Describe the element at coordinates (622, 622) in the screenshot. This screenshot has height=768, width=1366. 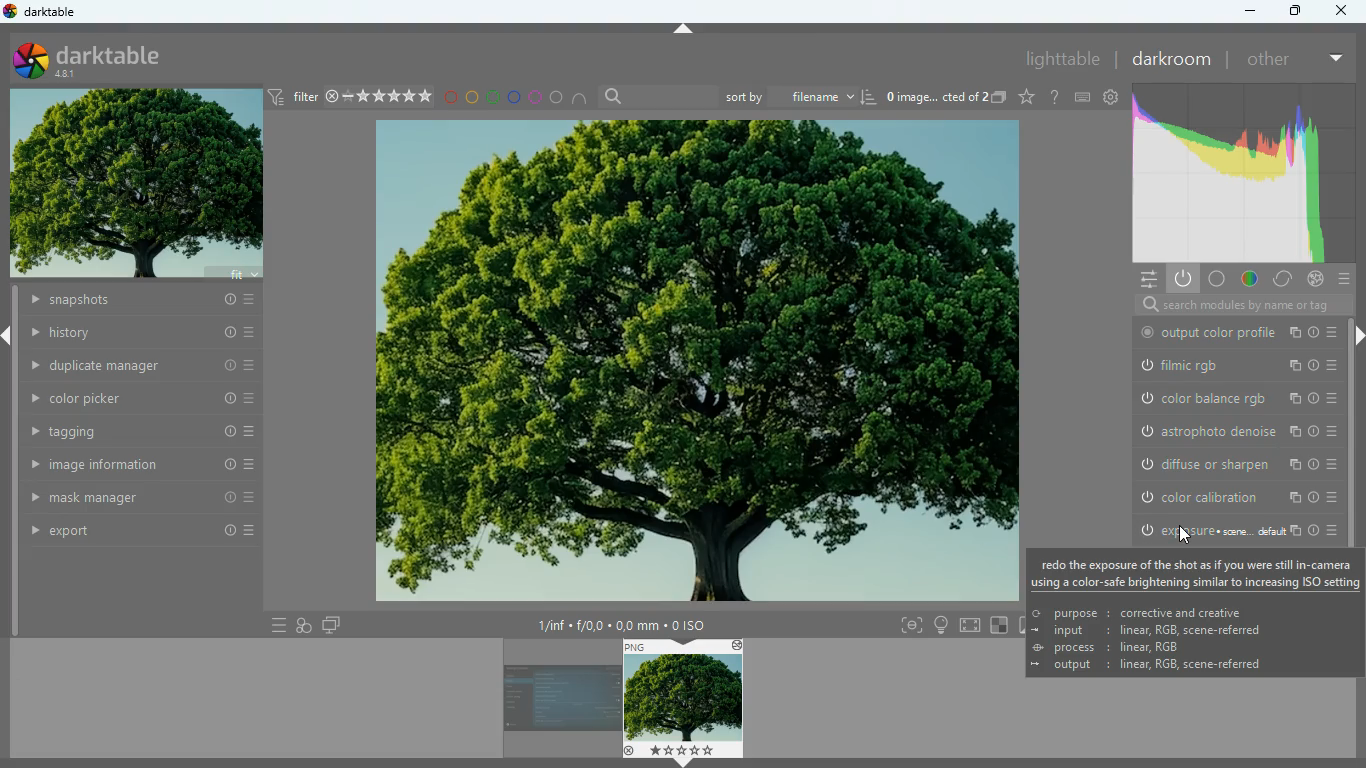
I see `image information` at that location.